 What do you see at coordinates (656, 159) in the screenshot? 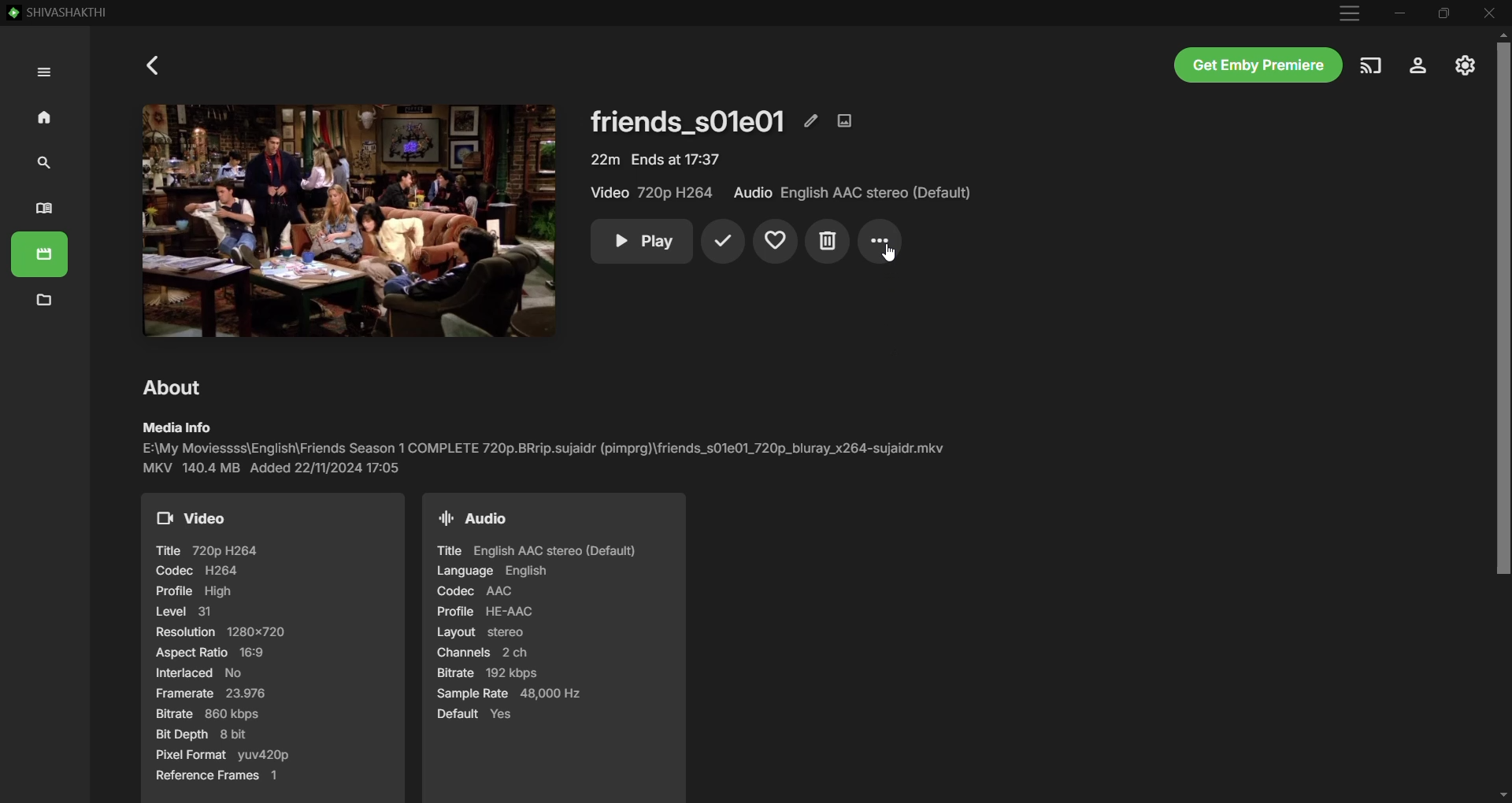
I see `Video Details` at bounding box center [656, 159].